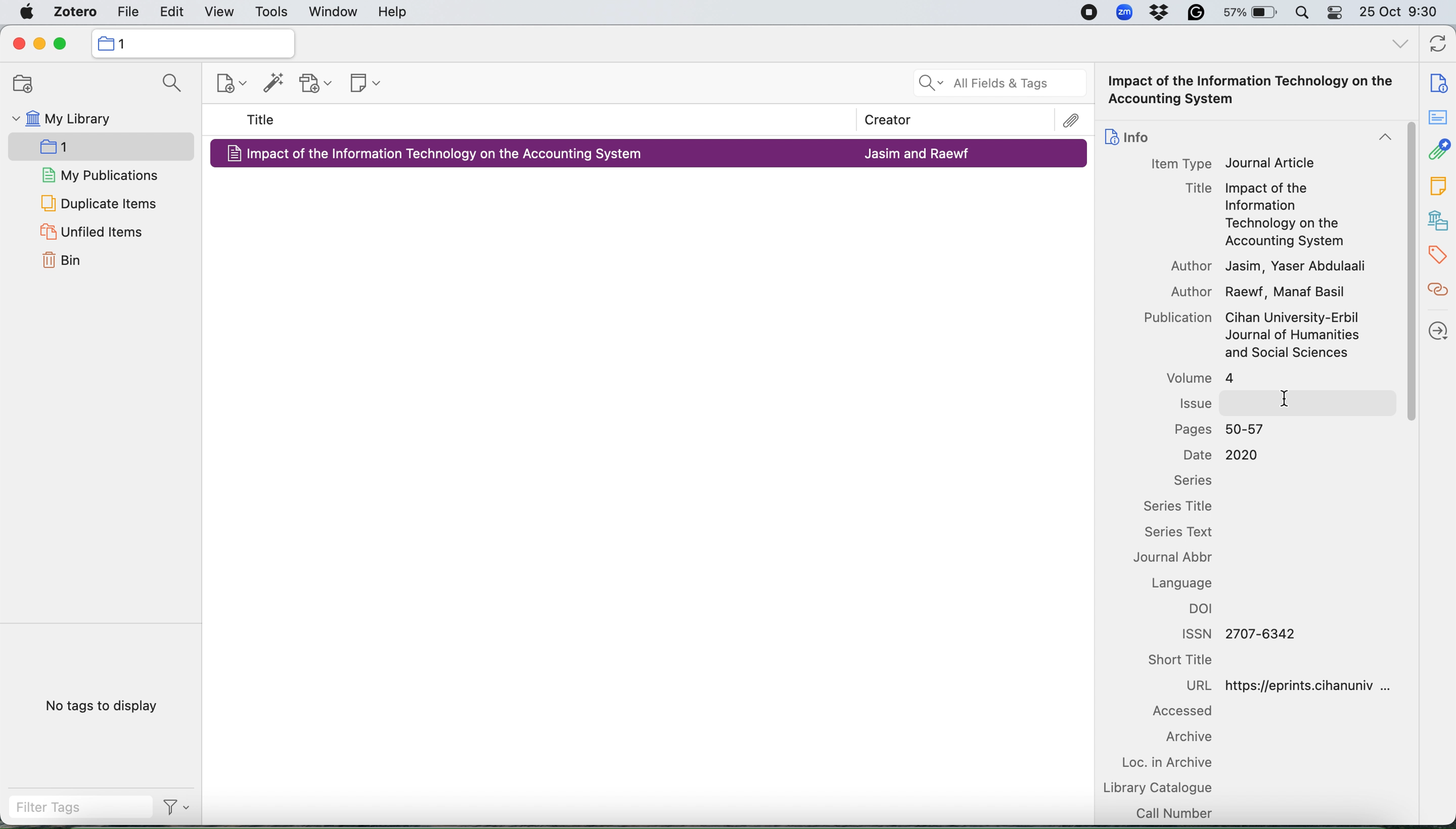 The image size is (1456, 829). I want to click on Impact of the Information Technology on the Accounting System, so click(446, 154).